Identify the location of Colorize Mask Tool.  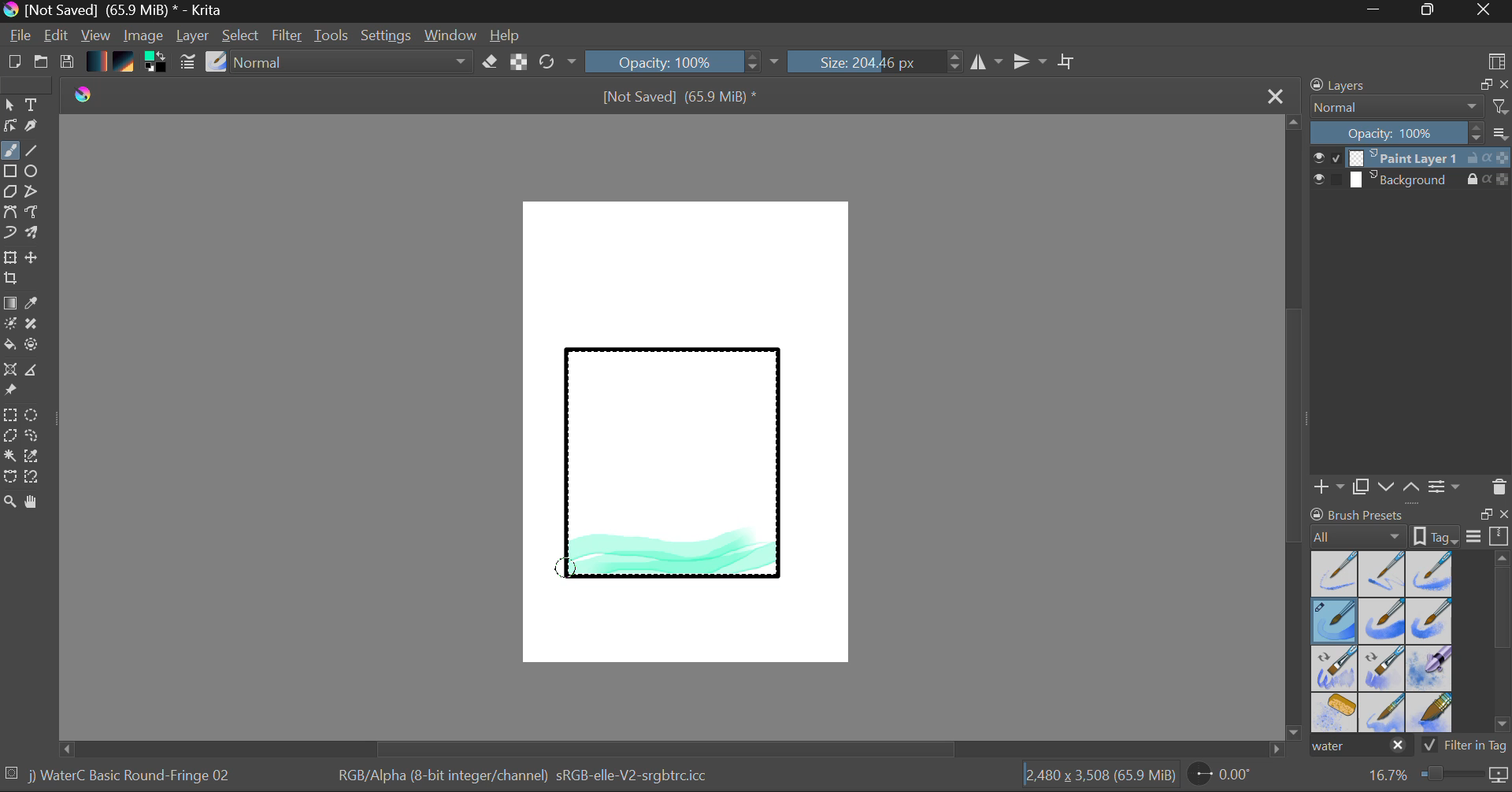
(11, 325).